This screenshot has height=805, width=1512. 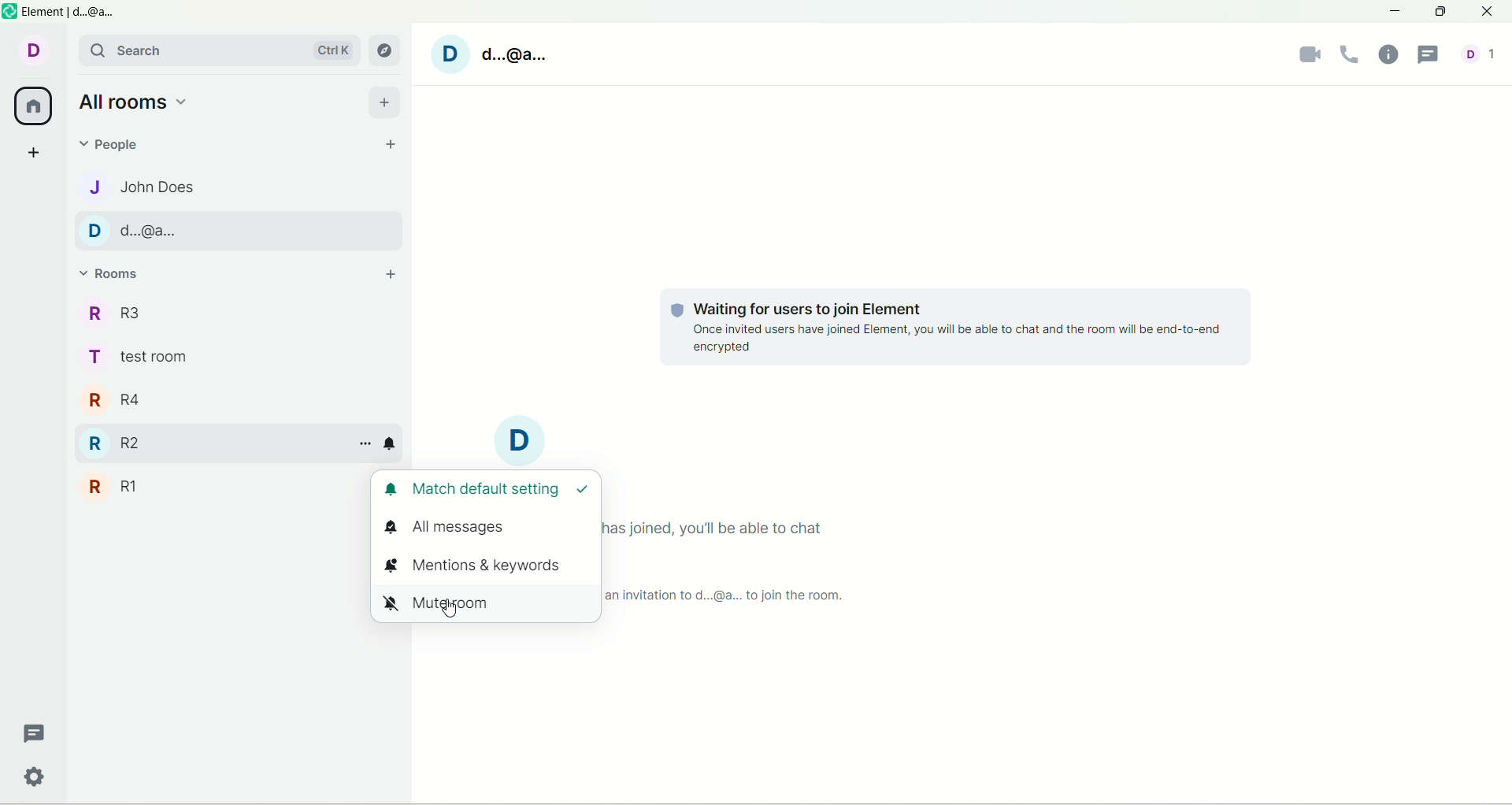 I want to click on people, so click(x=115, y=143).